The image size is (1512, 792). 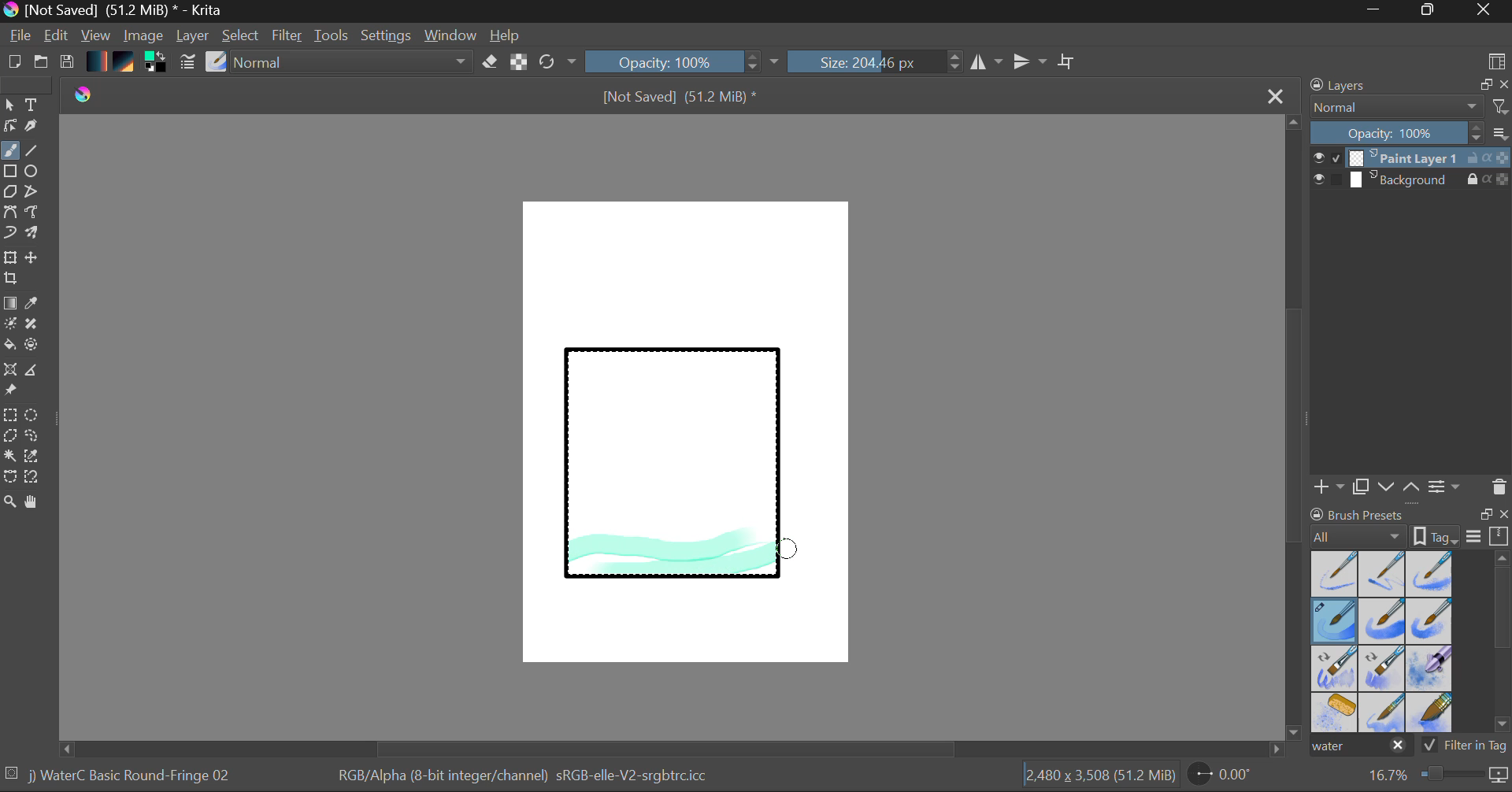 I want to click on Fill, so click(x=9, y=347).